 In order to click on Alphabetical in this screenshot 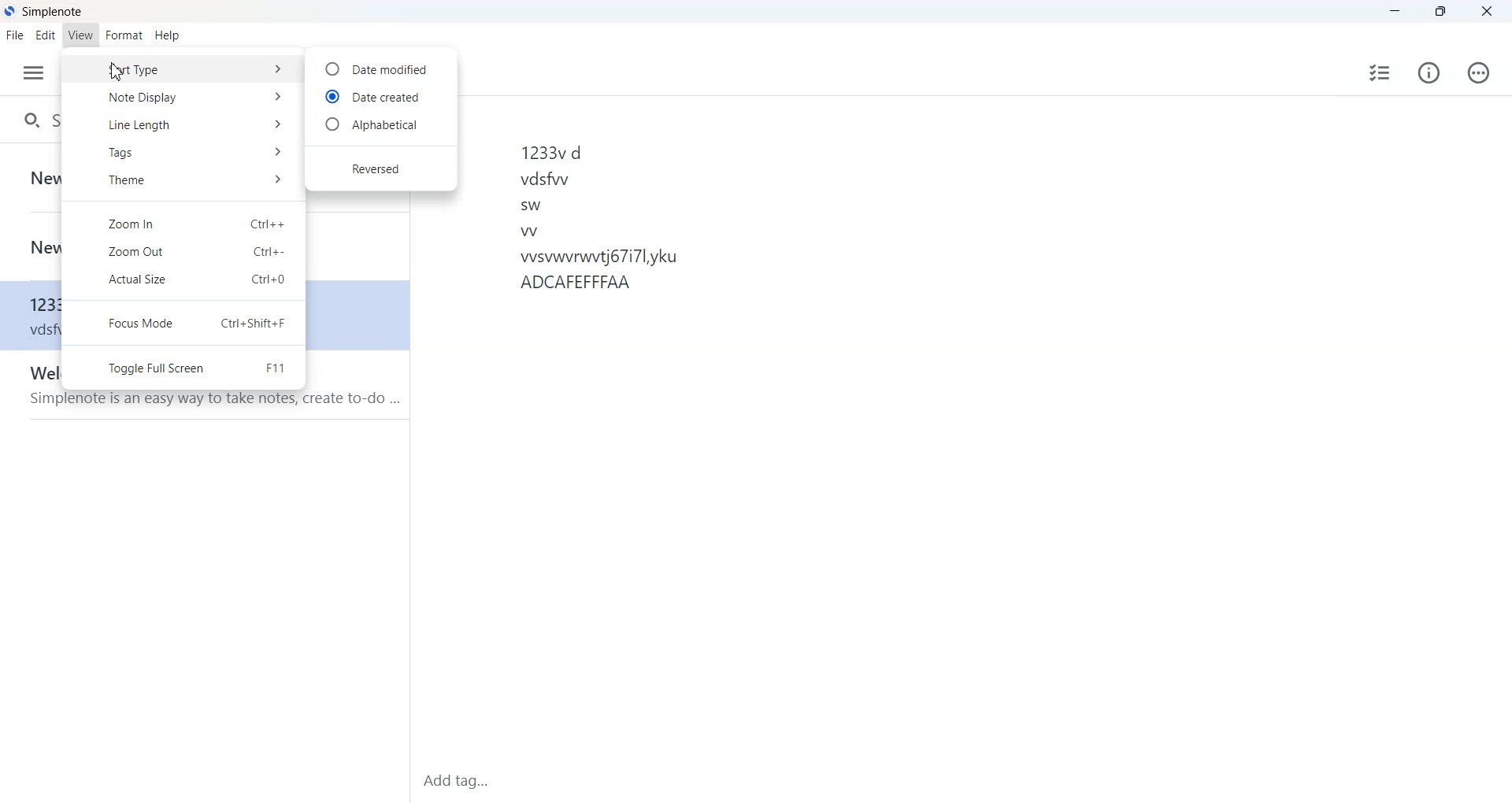, I will do `click(380, 125)`.